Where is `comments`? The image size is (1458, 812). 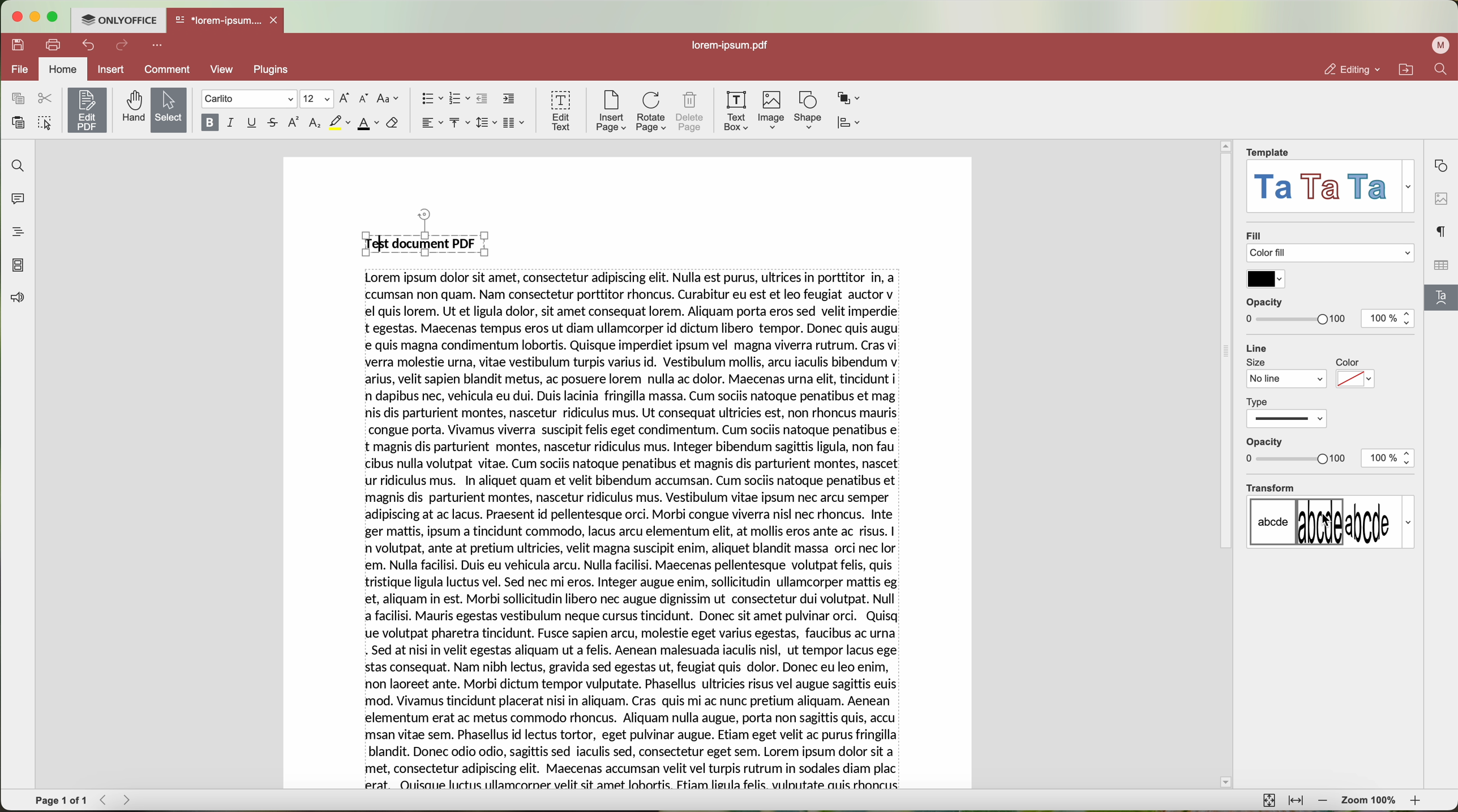 comments is located at coordinates (20, 200).